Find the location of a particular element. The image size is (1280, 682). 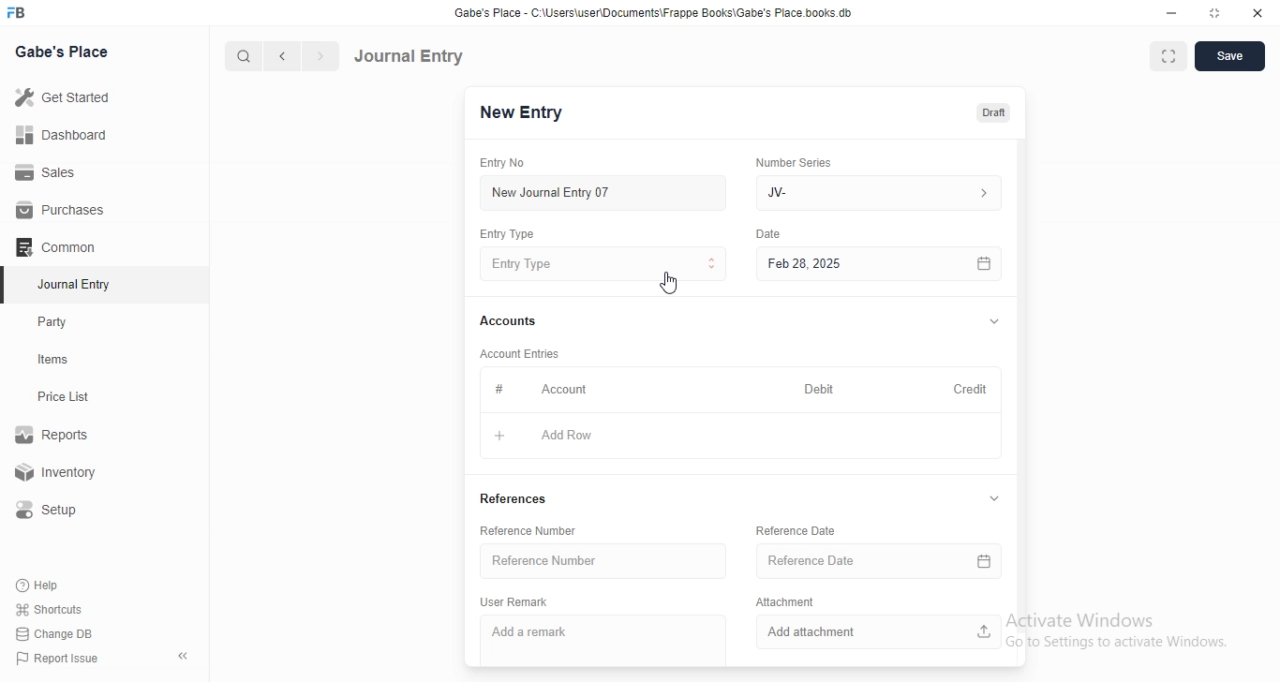

Entry Type is located at coordinates (602, 264).